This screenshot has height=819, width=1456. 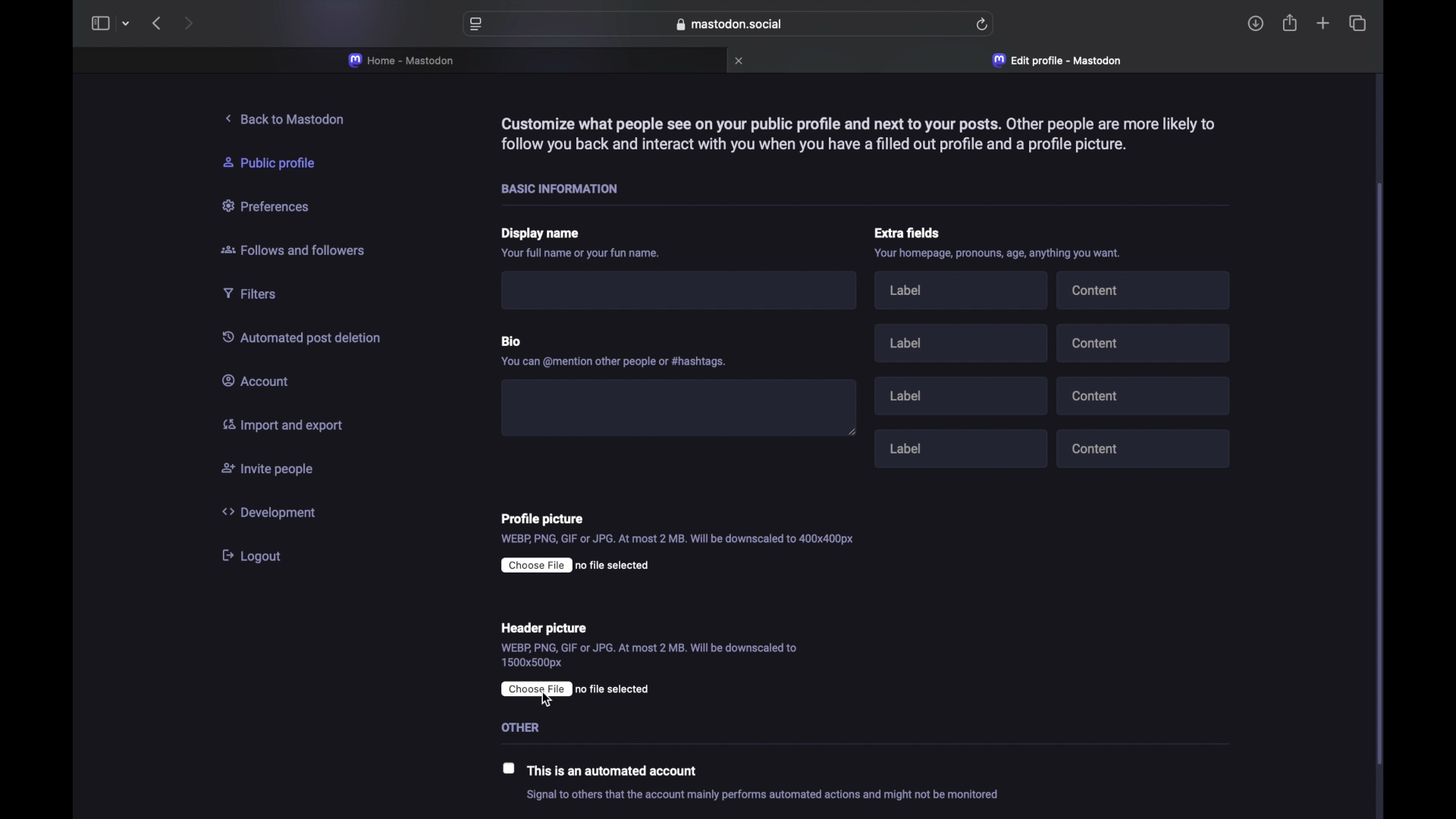 I want to click on label, so click(x=965, y=394).